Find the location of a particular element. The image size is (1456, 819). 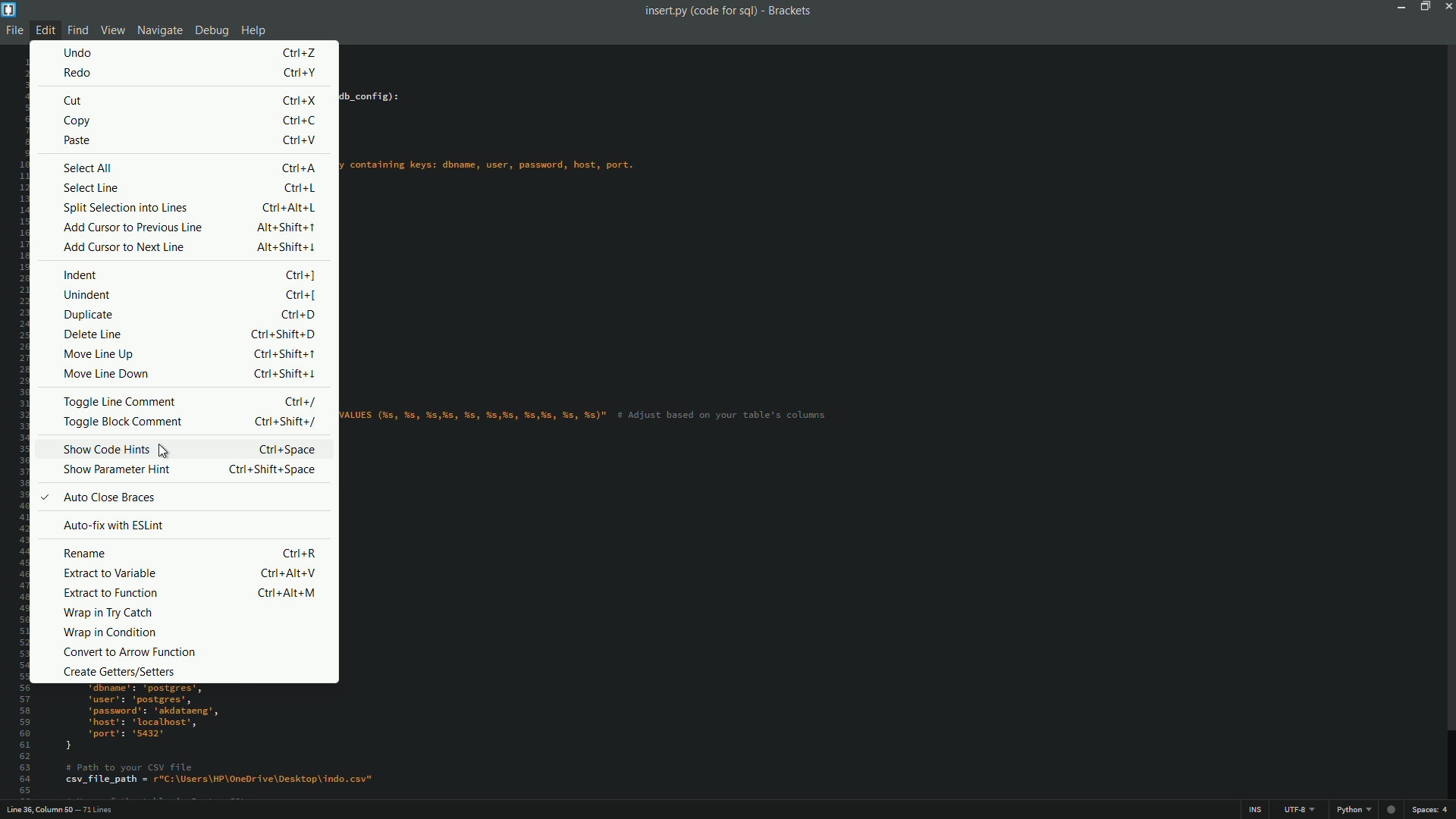

keyboard shortcut is located at coordinates (288, 594).